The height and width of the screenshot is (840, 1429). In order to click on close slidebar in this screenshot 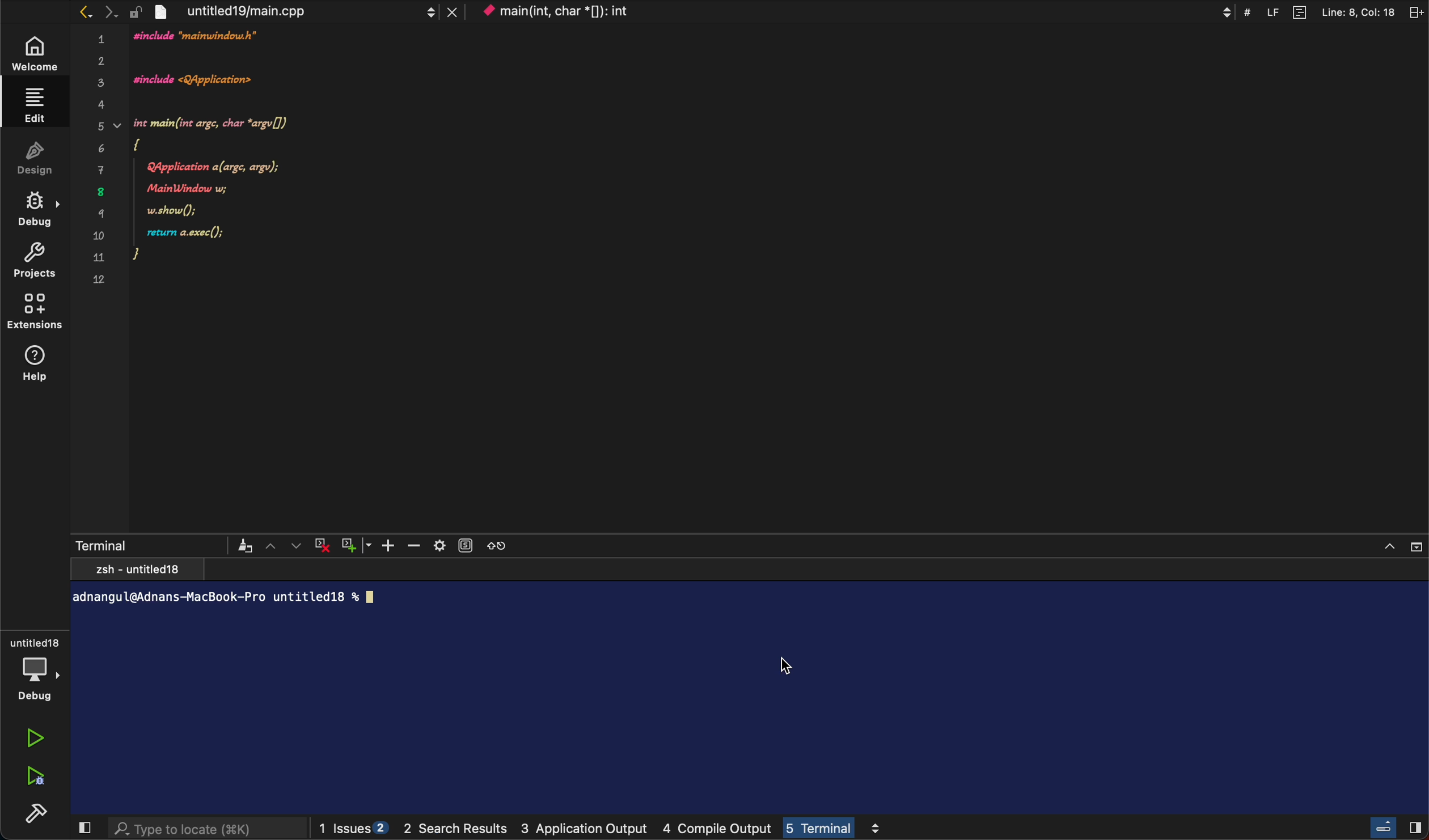, I will do `click(1392, 826)`.